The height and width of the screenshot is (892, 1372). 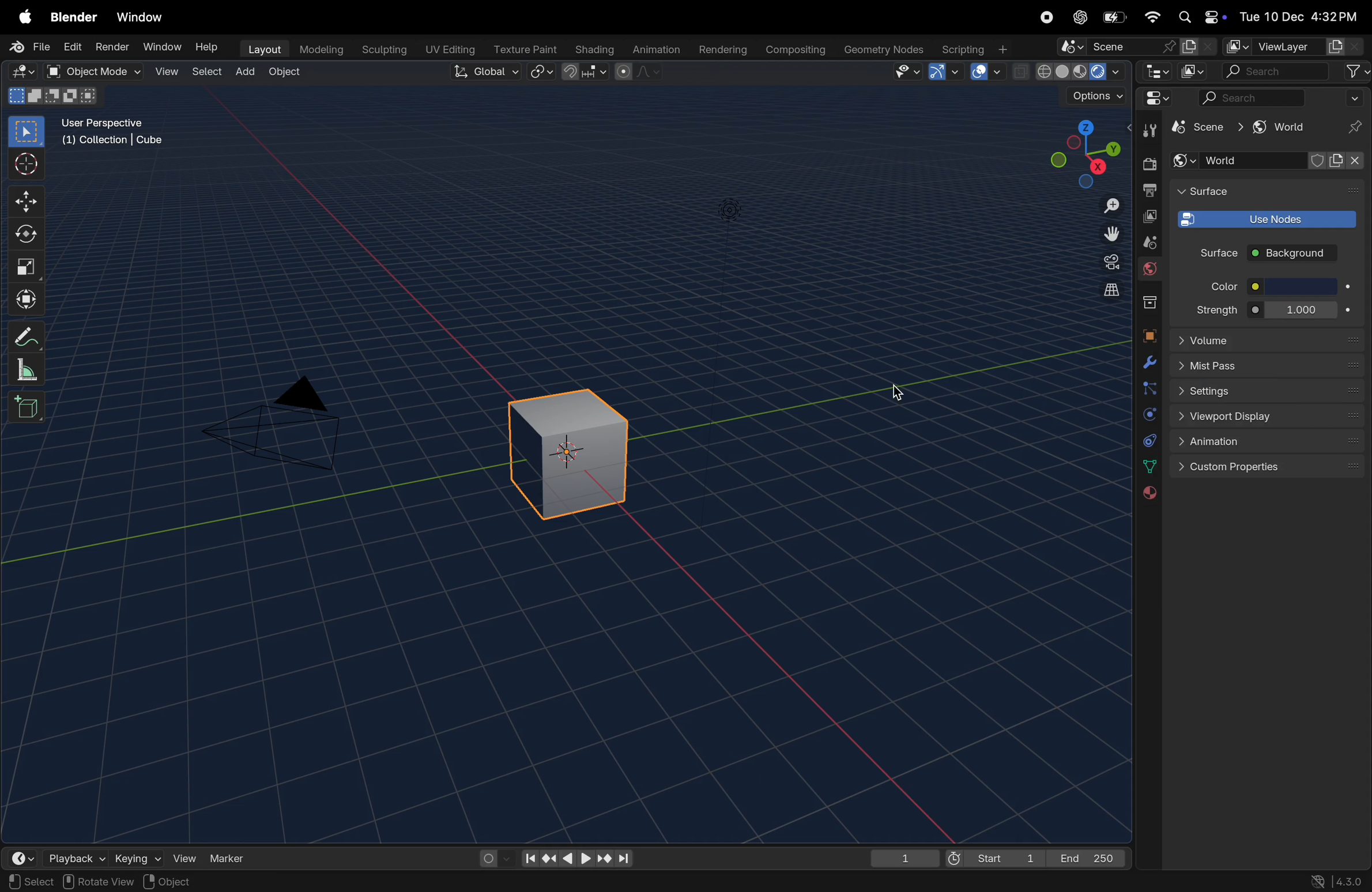 I want to click on , so click(x=1148, y=191).